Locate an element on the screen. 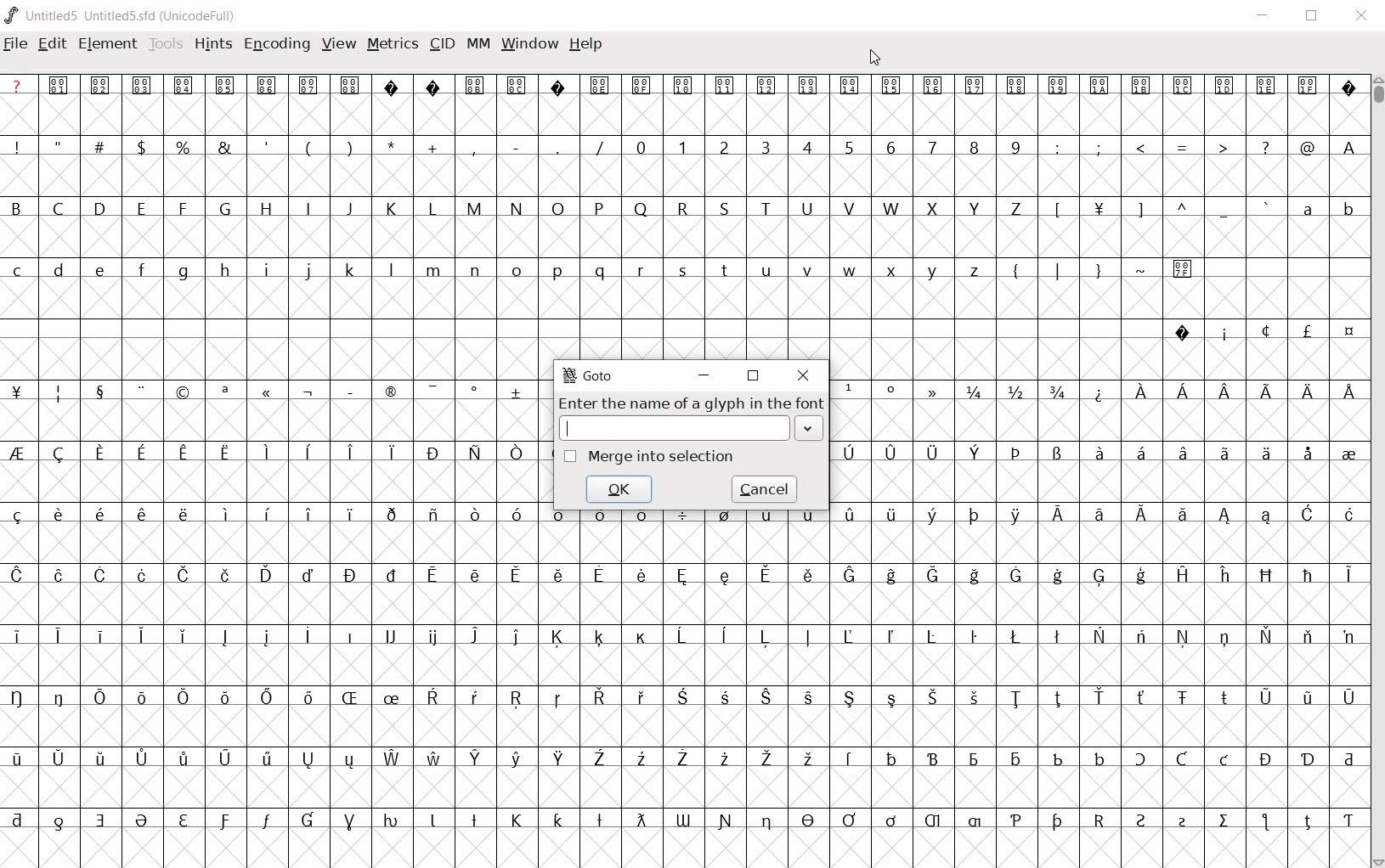  Symbol is located at coordinates (475, 516).